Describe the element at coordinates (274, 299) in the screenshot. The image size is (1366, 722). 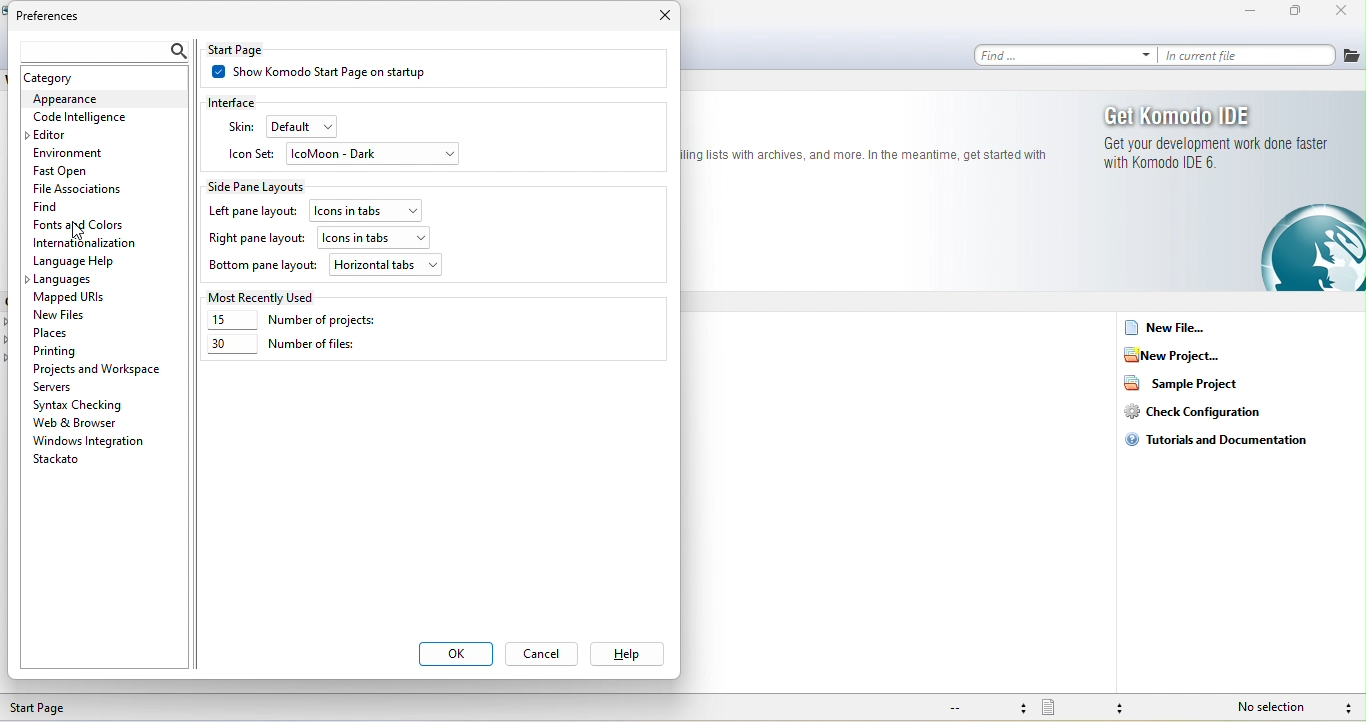
I see `most recently used` at that location.